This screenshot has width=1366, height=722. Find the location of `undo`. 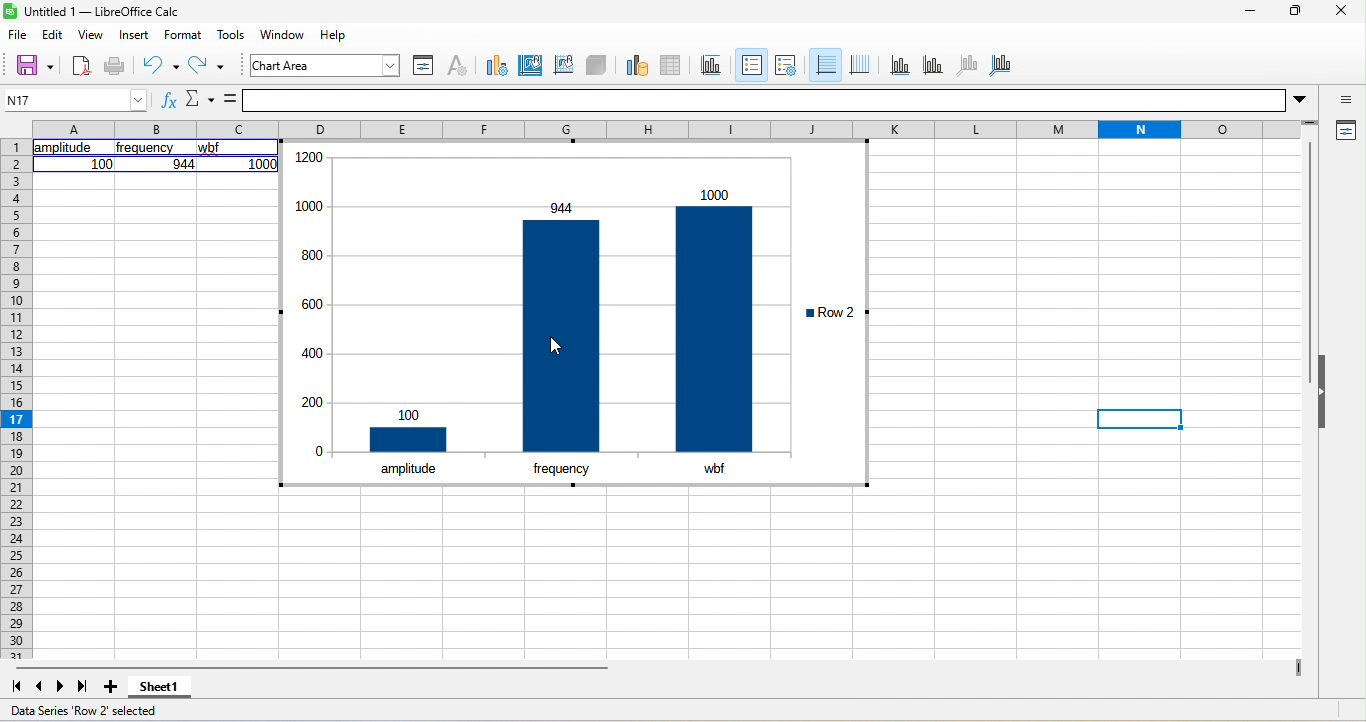

undo is located at coordinates (161, 65).